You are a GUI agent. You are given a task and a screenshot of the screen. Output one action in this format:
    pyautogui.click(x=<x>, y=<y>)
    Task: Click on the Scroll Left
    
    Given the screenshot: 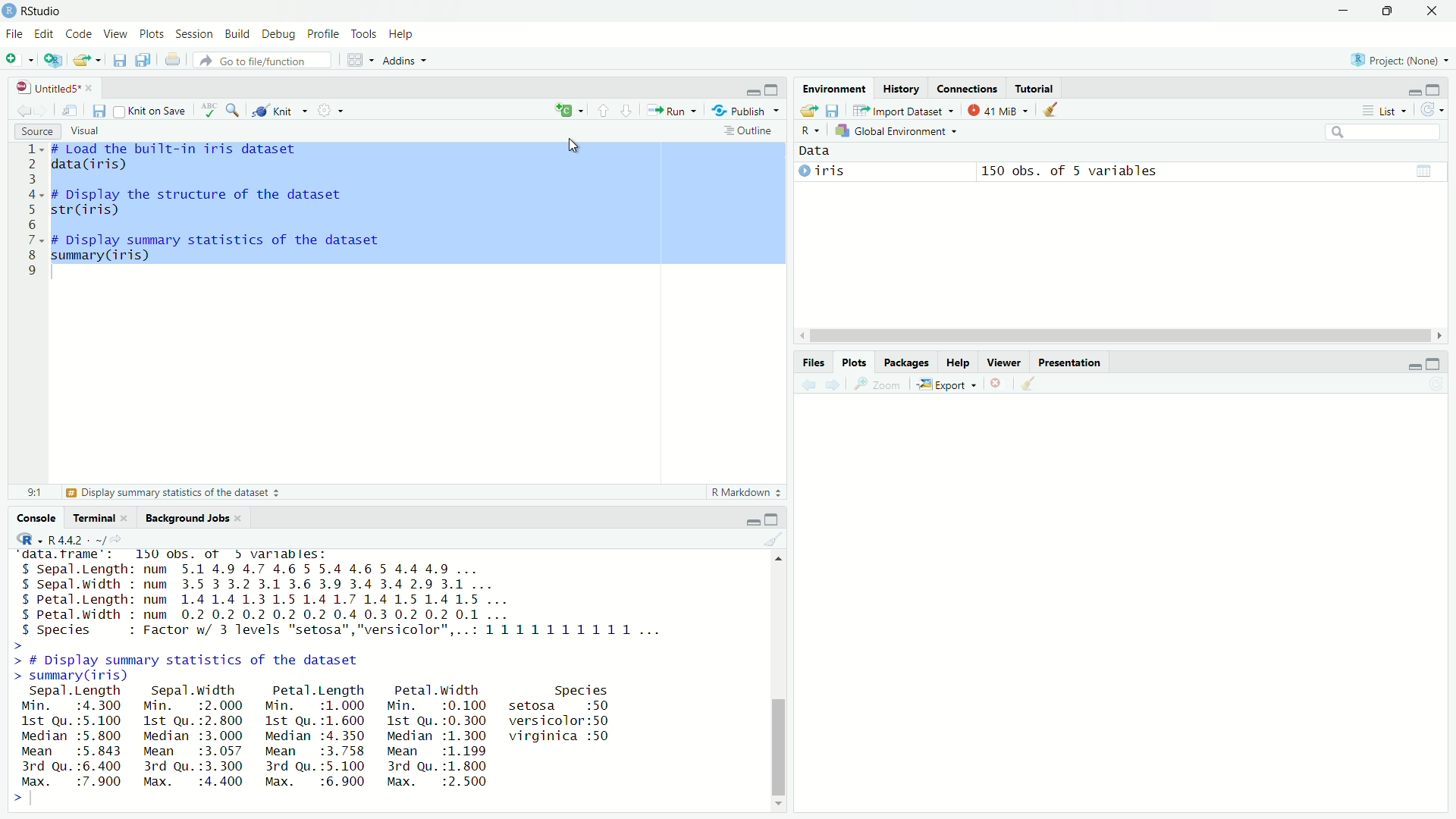 What is the action you would take?
    pyautogui.click(x=800, y=334)
    